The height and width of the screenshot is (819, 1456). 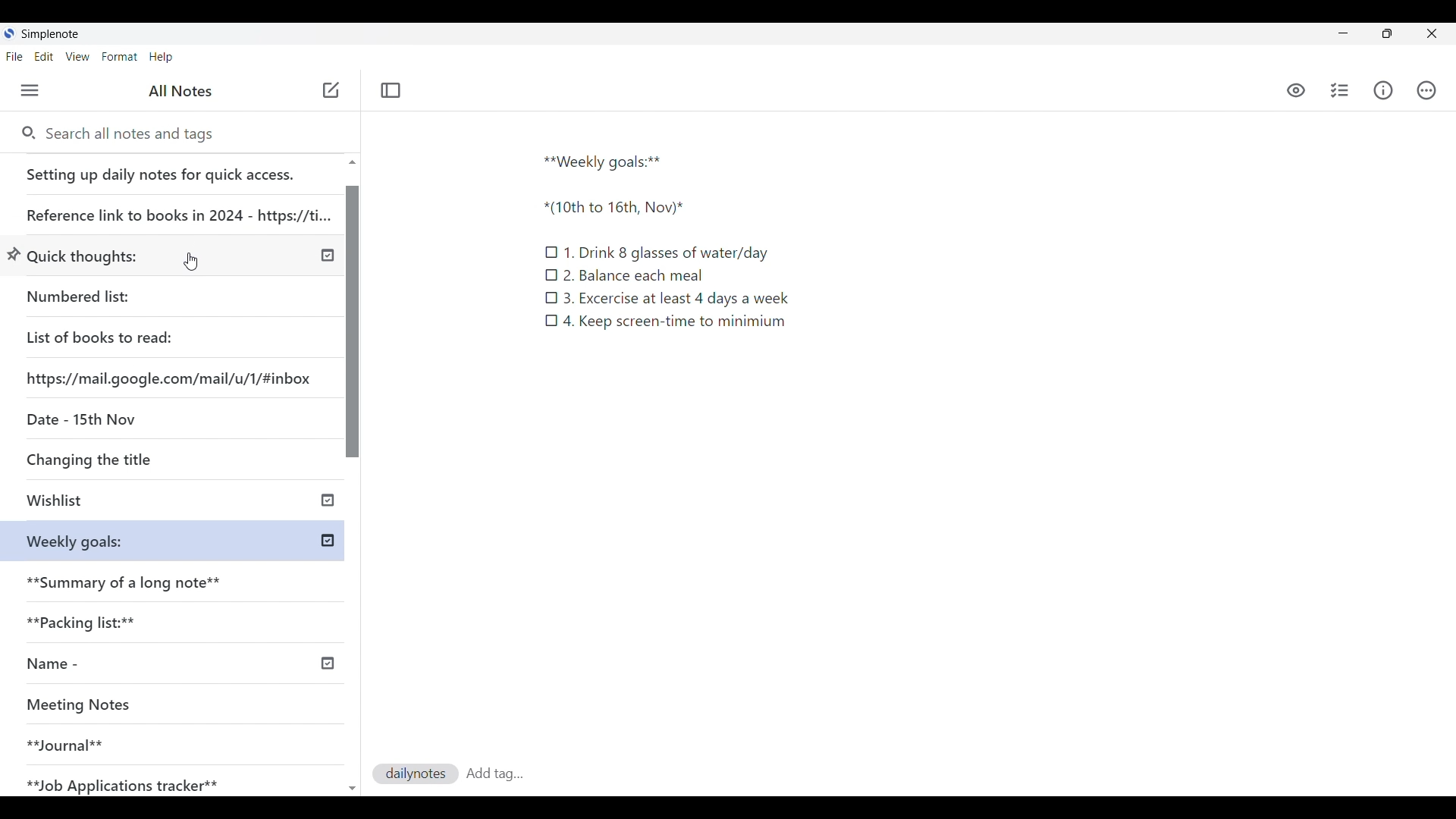 I want to click on Journal, so click(x=151, y=739).